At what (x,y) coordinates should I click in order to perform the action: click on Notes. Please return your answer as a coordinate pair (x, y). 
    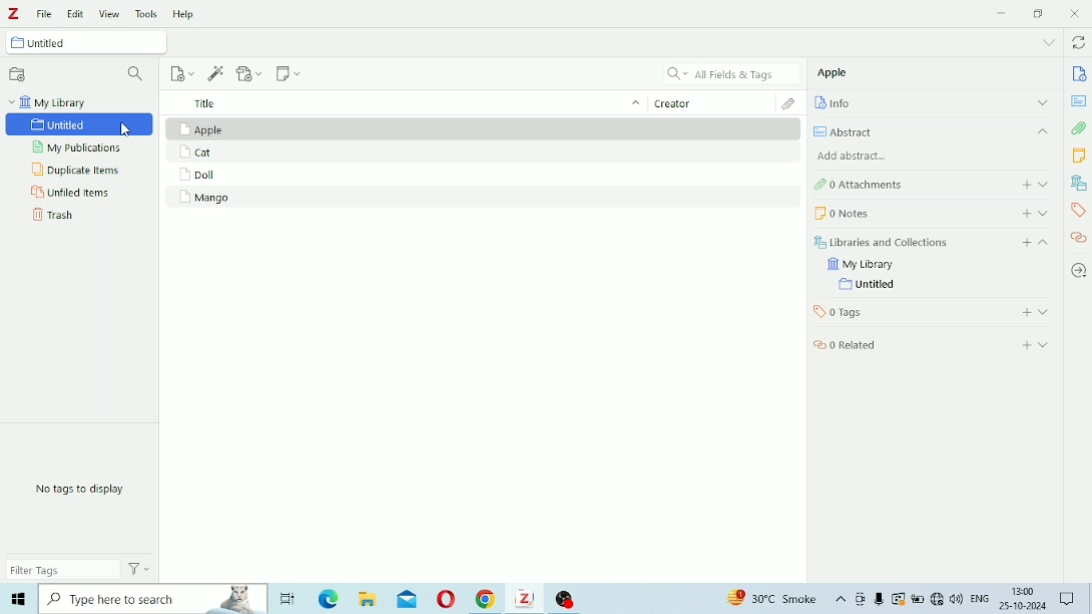
    Looking at the image, I should click on (840, 214).